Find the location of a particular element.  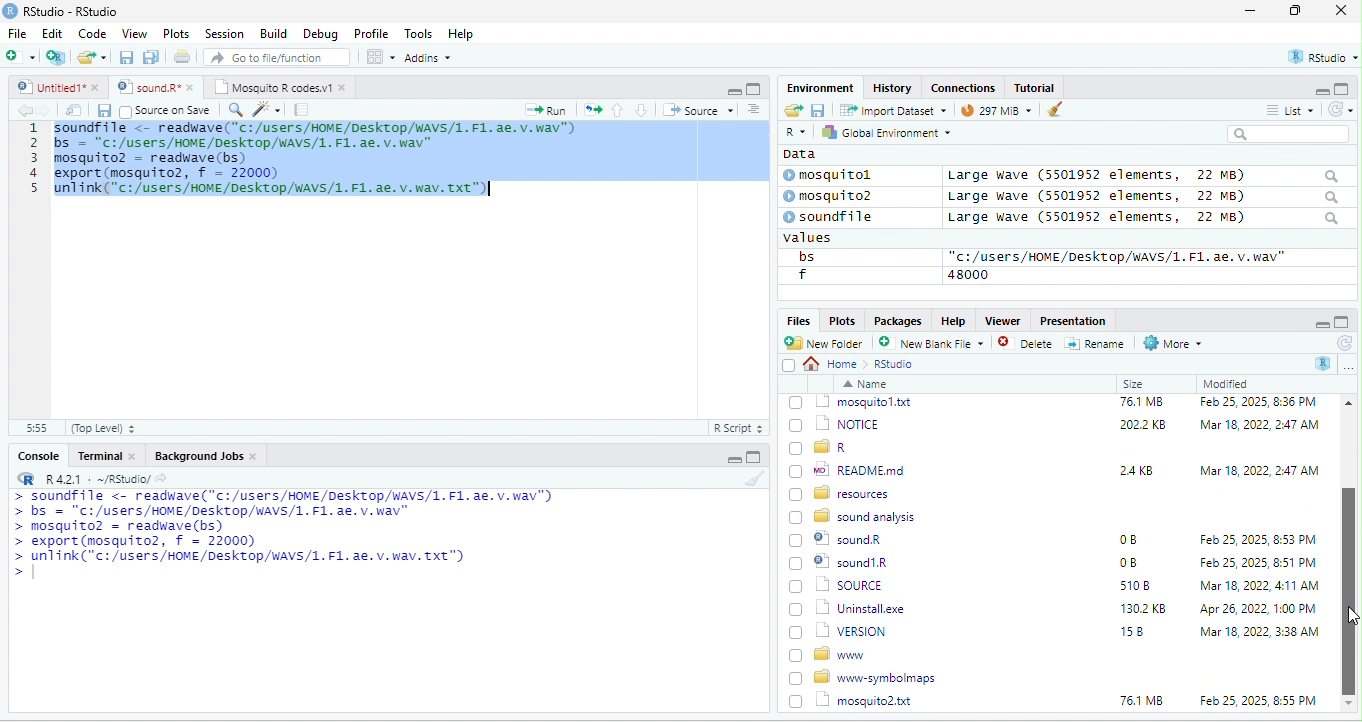

‘Mar 18, 2022, 2:47 AM is located at coordinates (1258, 544).